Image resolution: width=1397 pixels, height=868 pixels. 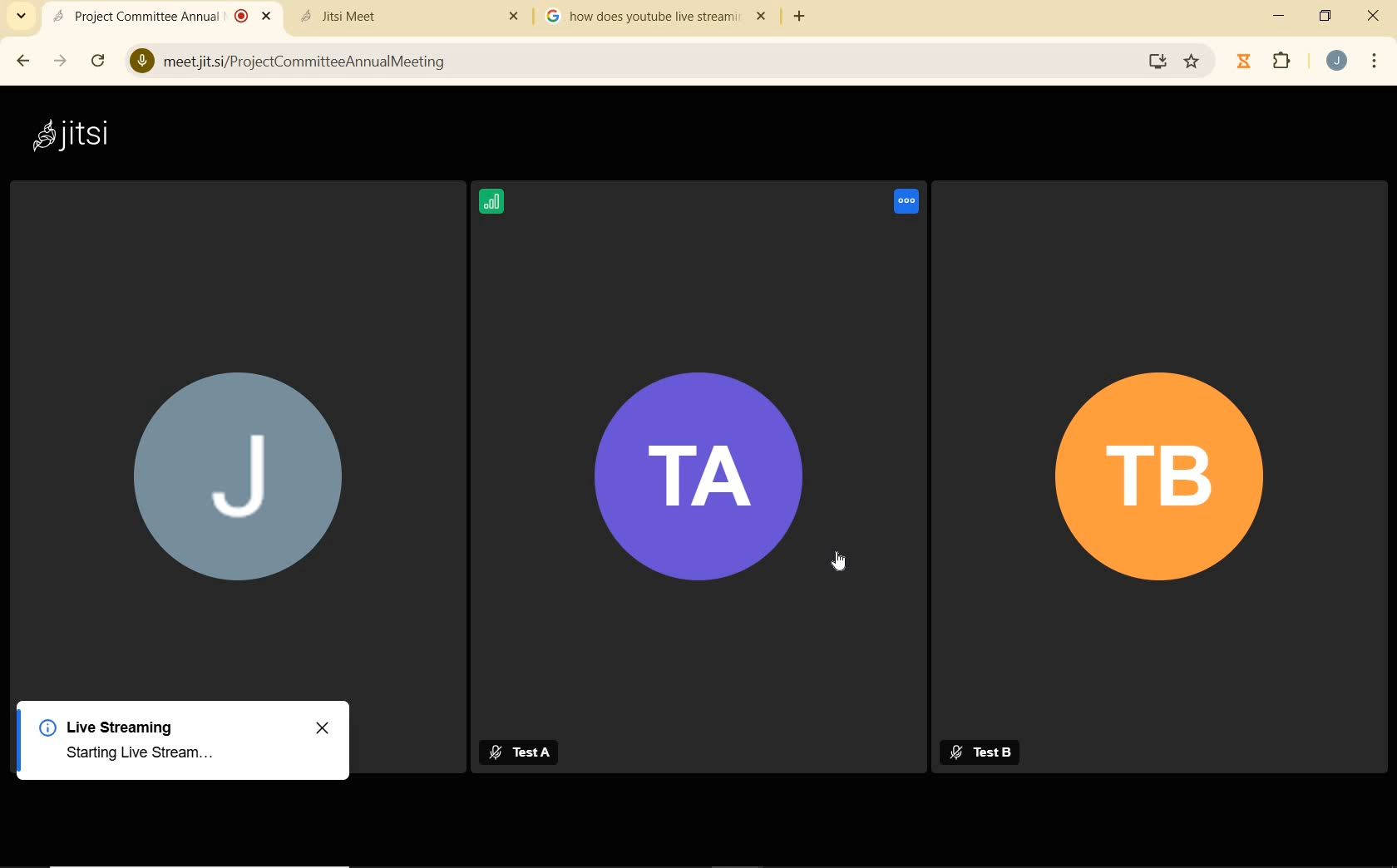 I want to click on Microphone, so click(x=141, y=62).